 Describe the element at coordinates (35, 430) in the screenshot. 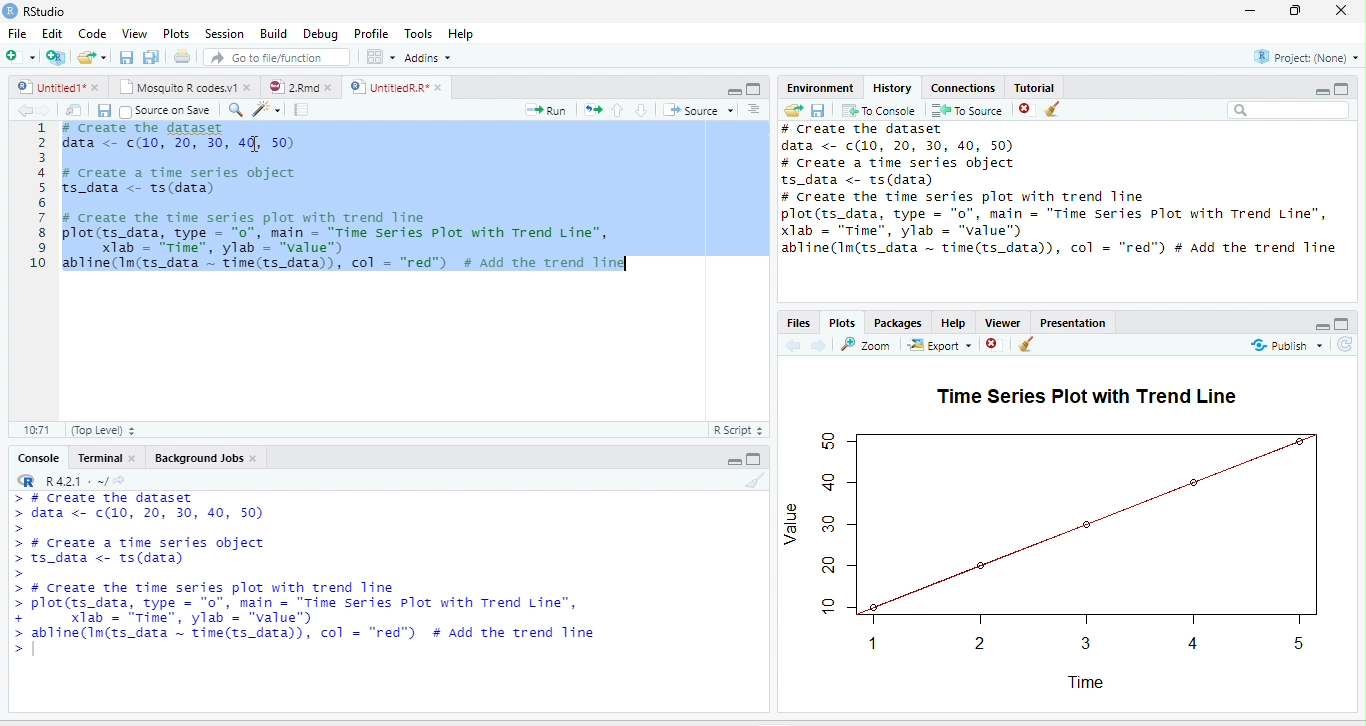

I see `1:1` at that location.